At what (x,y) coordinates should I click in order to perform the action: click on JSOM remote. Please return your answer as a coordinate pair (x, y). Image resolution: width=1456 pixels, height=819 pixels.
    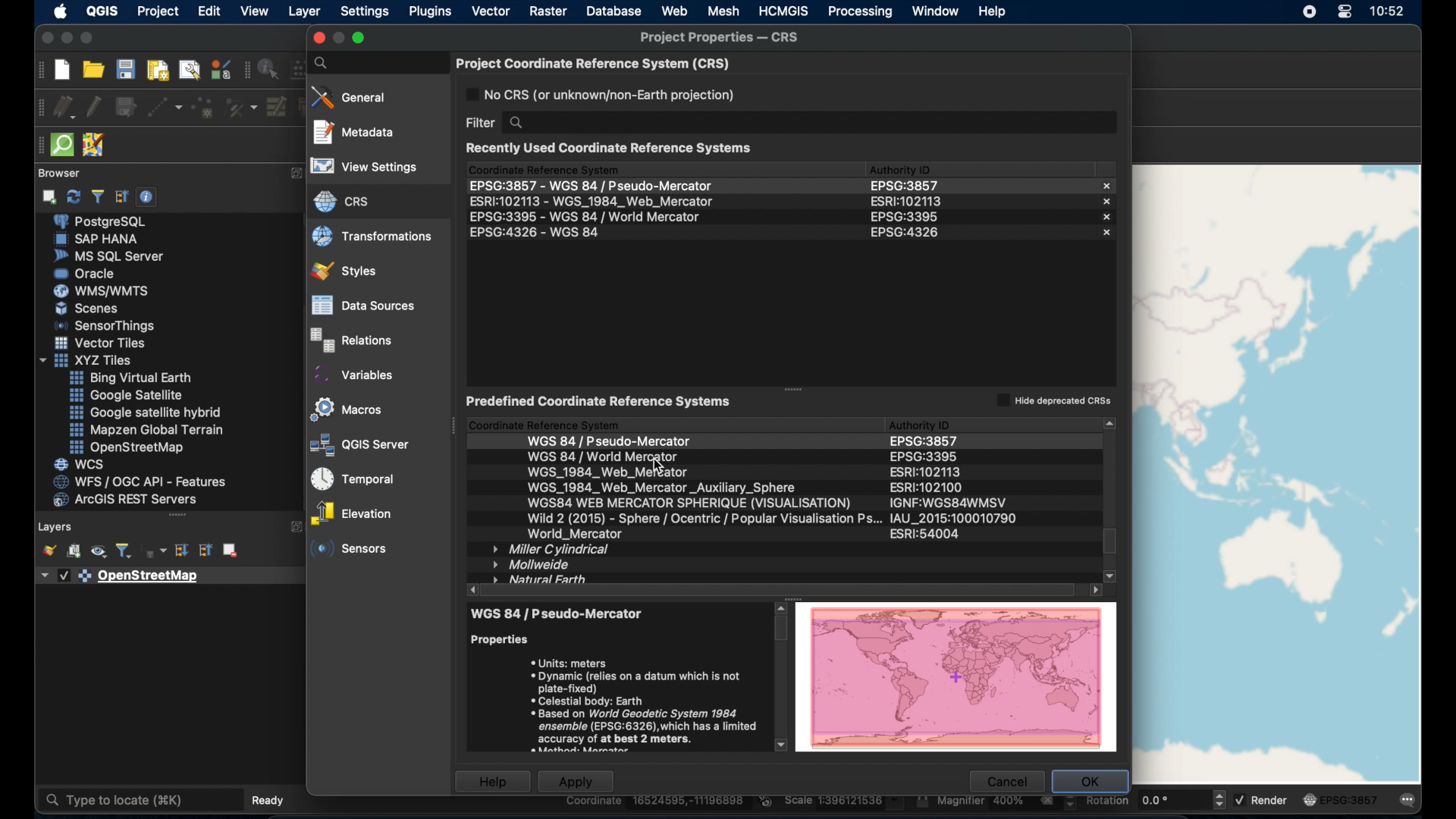
    Looking at the image, I should click on (96, 145).